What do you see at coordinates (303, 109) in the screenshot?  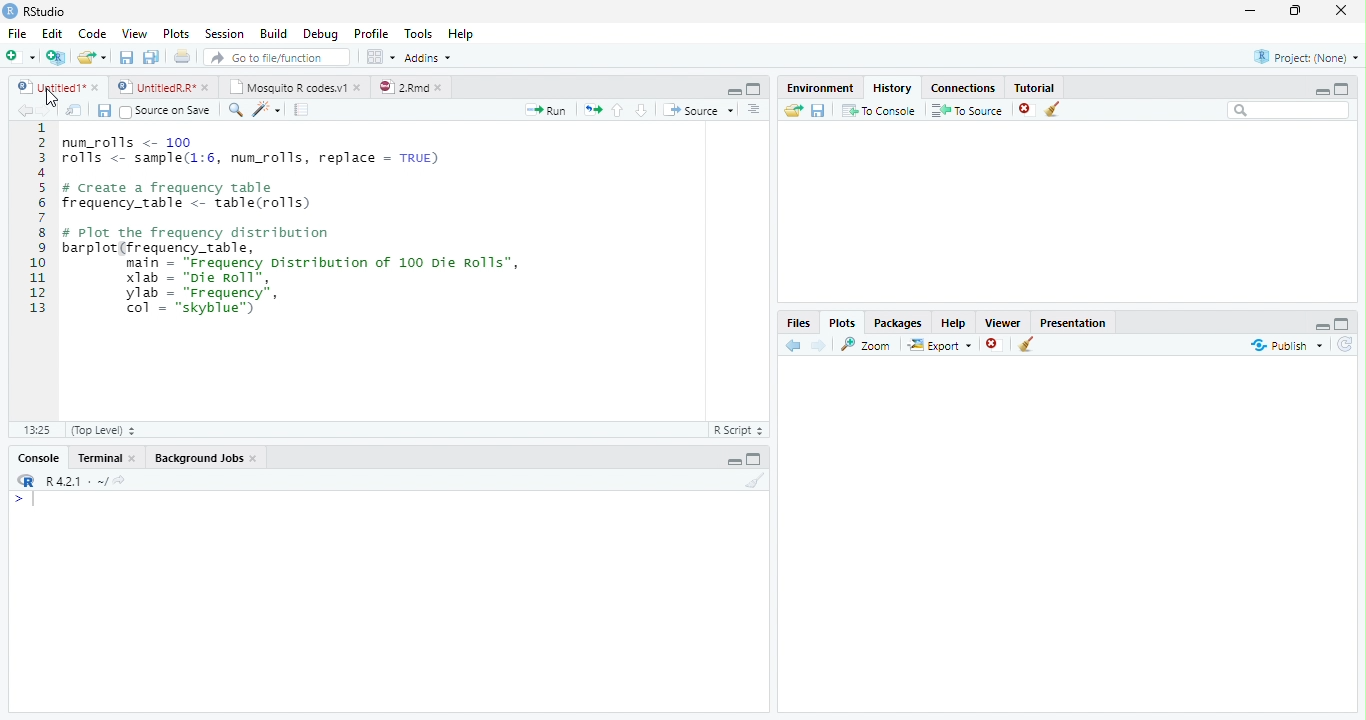 I see `Compile Report` at bounding box center [303, 109].